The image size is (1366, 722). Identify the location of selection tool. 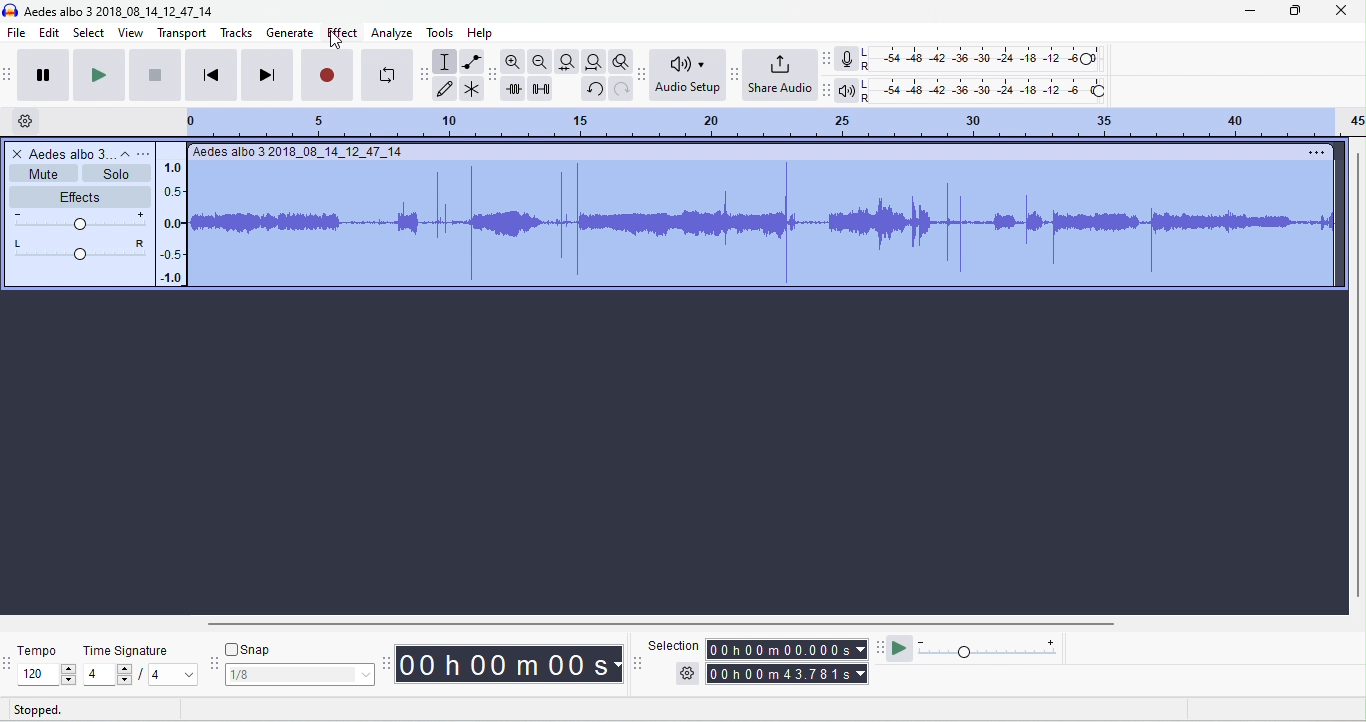
(445, 63).